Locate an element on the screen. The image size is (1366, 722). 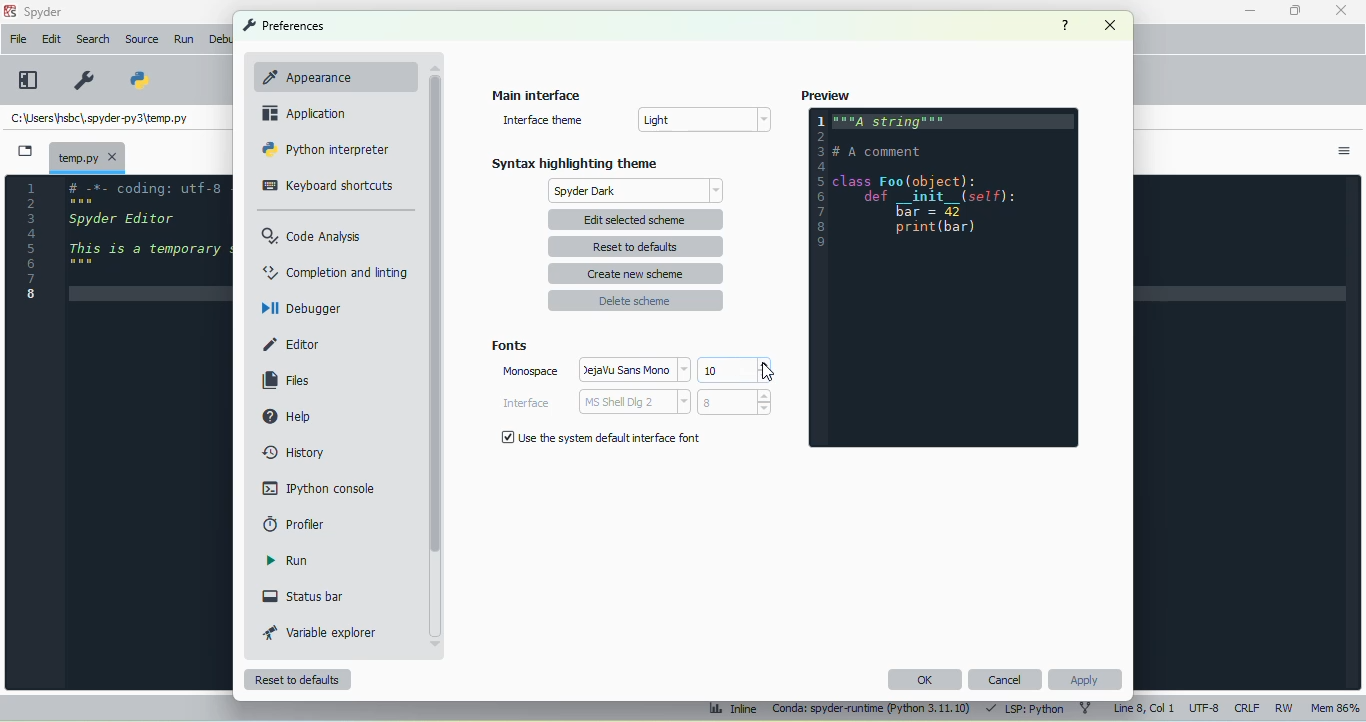
options is located at coordinates (1344, 151).